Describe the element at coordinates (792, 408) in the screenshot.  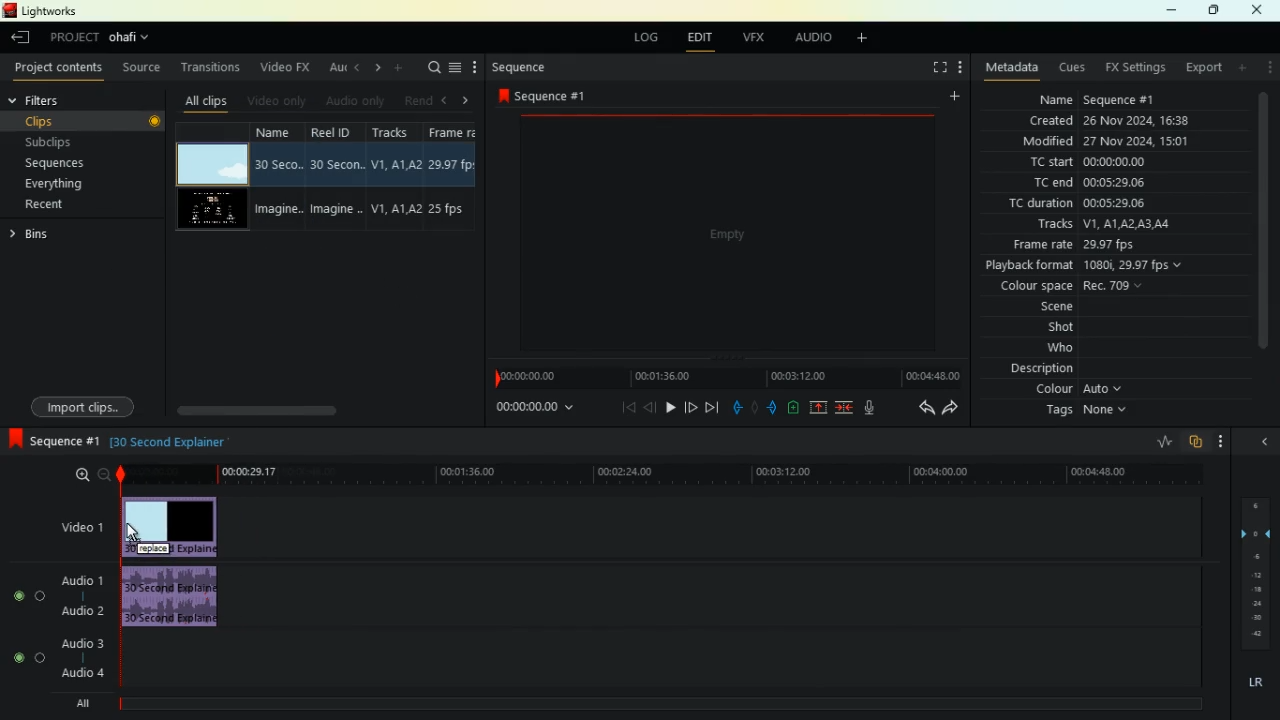
I see `battery` at that location.